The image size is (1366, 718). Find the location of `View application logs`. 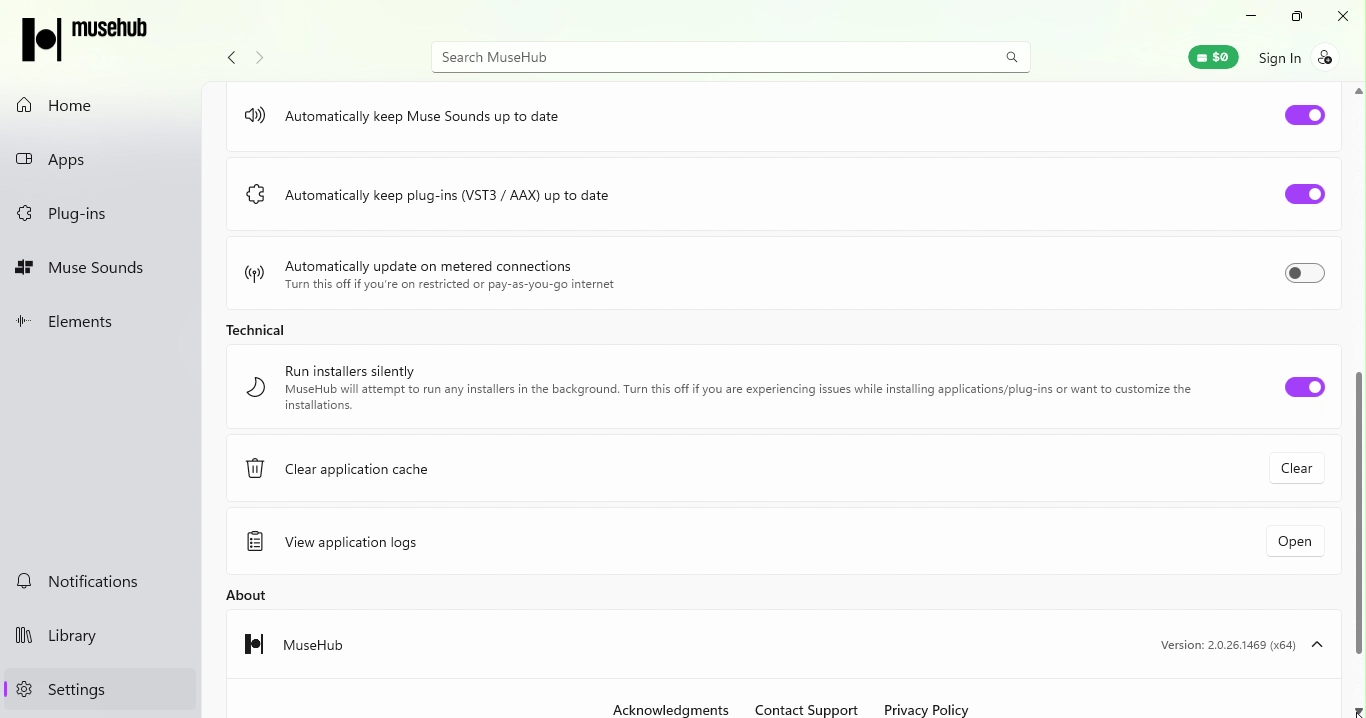

View application logs is located at coordinates (348, 545).